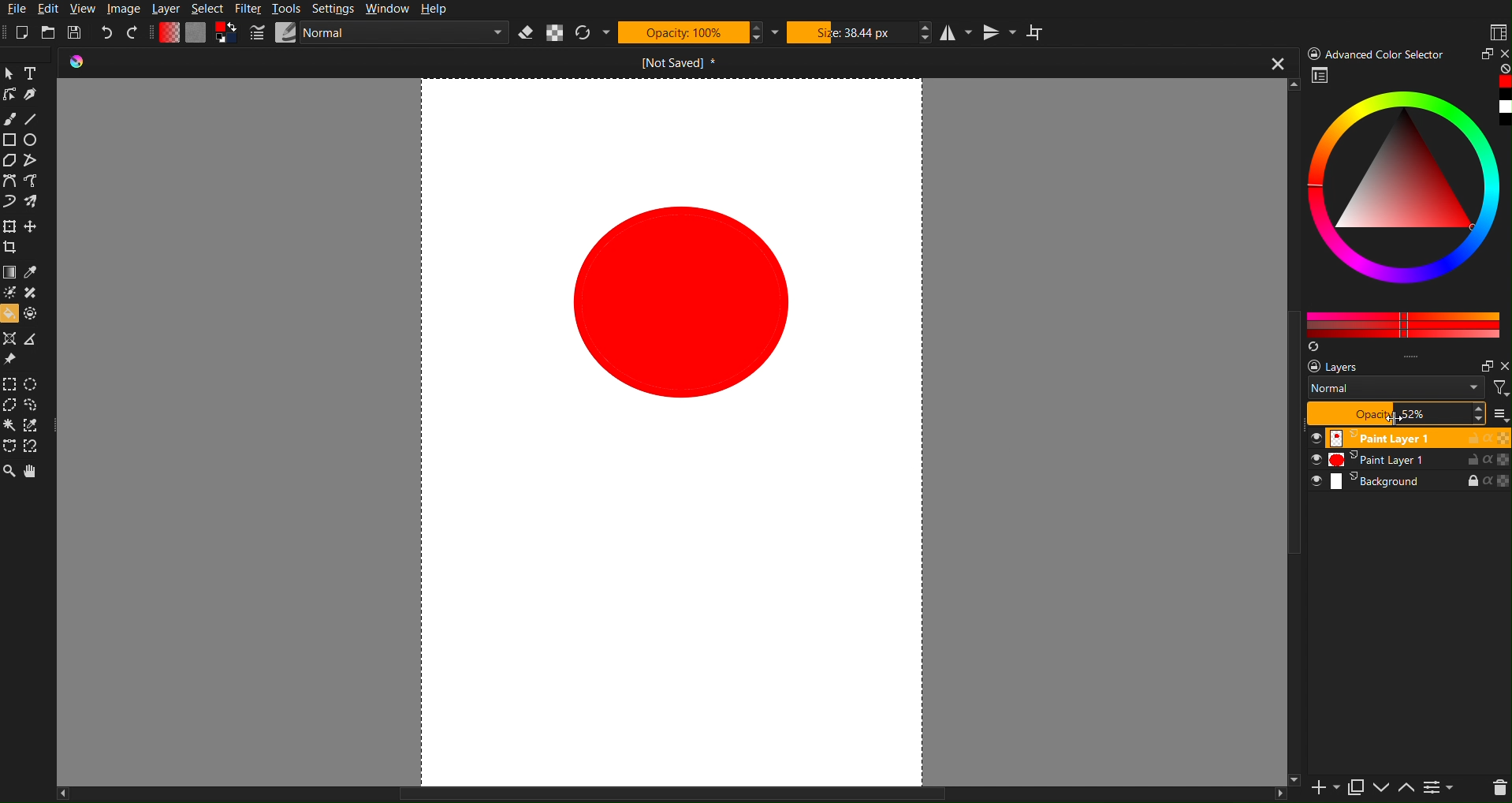 The image size is (1512, 803). What do you see at coordinates (1402, 323) in the screenshot?
I see `Color Pallet` at bounding box center [1402, 323].